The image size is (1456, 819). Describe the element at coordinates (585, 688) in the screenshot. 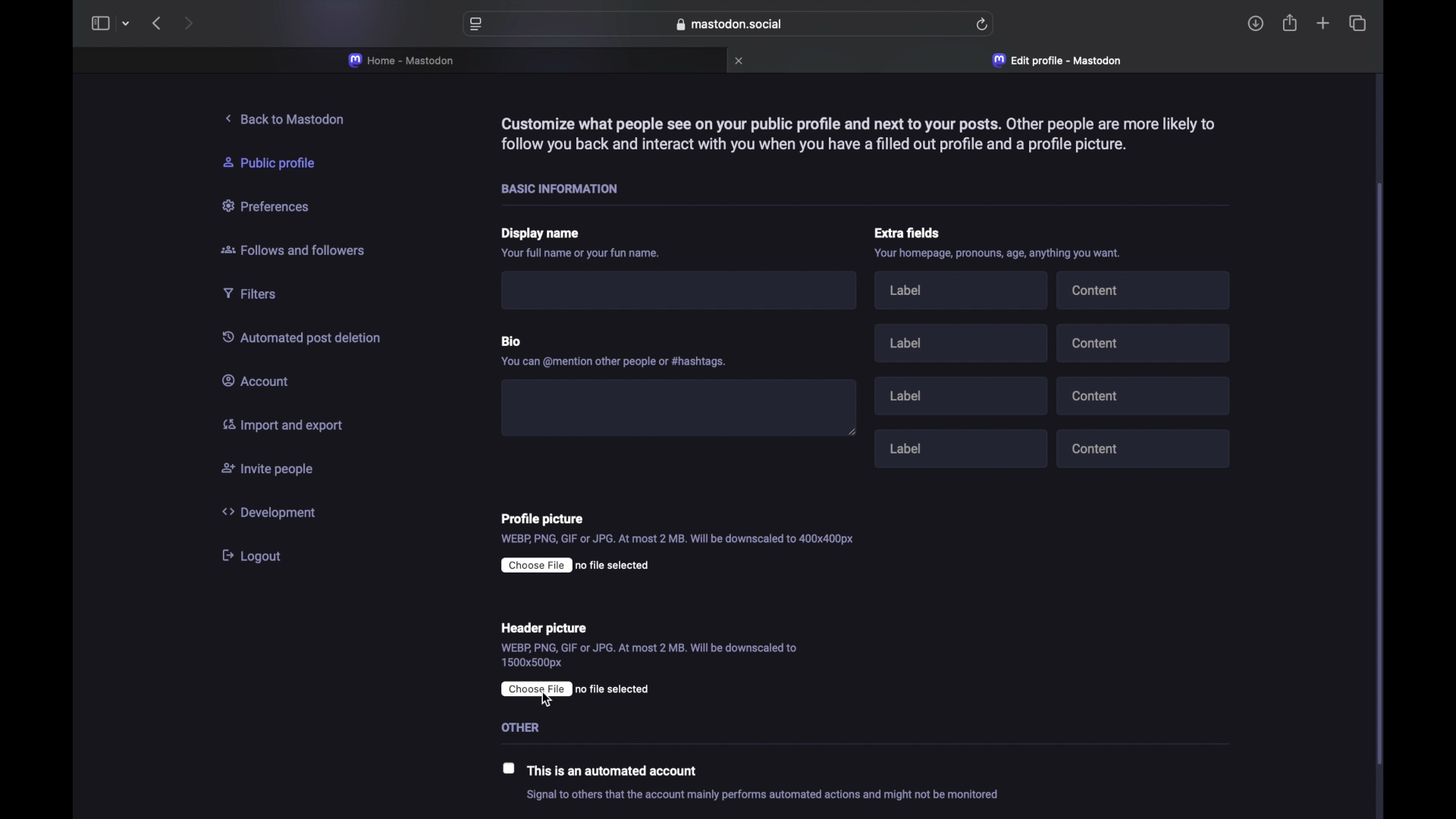

I see `CEE ro file selected` at that location.